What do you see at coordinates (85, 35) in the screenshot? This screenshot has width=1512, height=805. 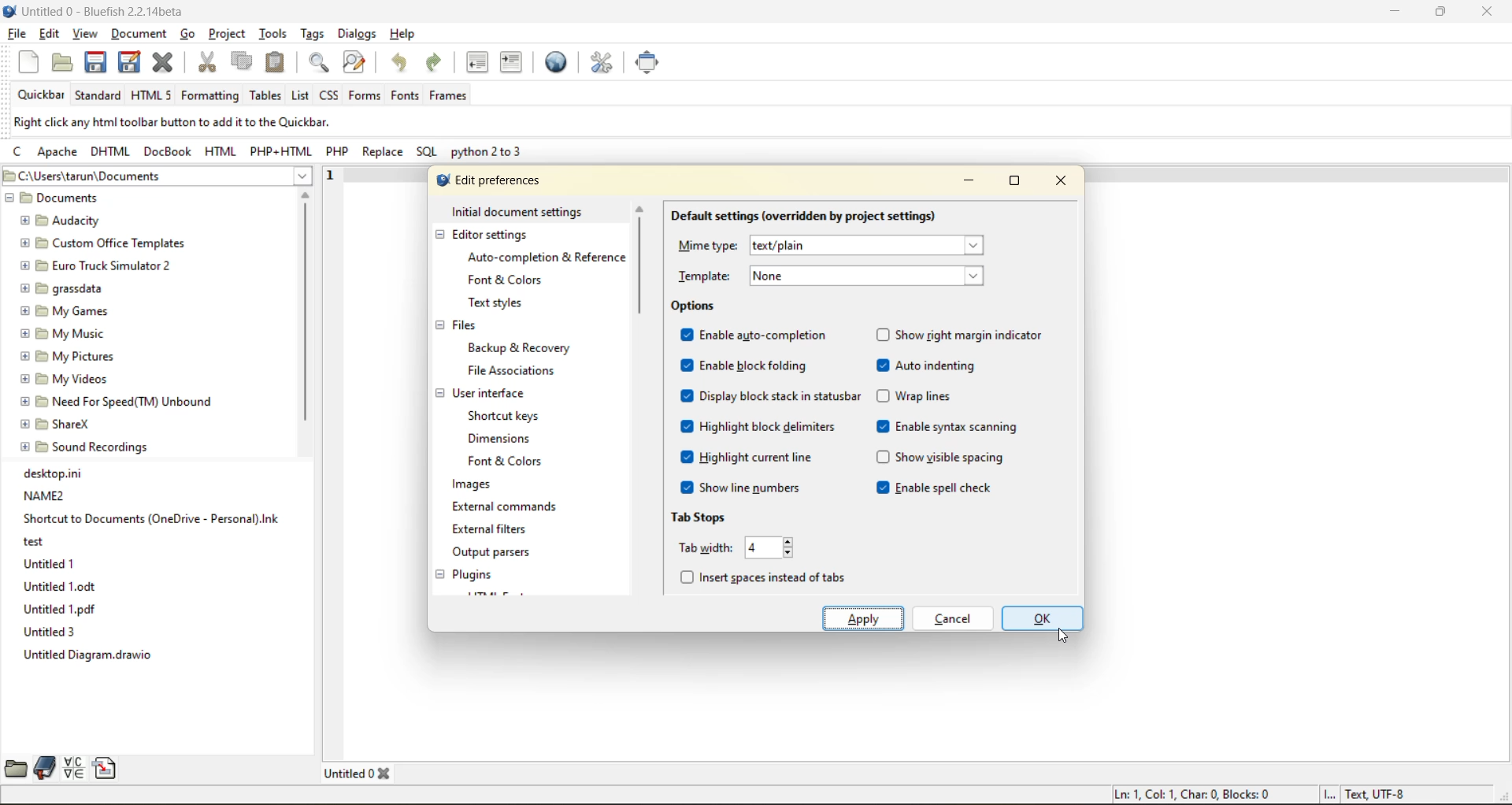 I see `view` at bounding box center [85, 35].